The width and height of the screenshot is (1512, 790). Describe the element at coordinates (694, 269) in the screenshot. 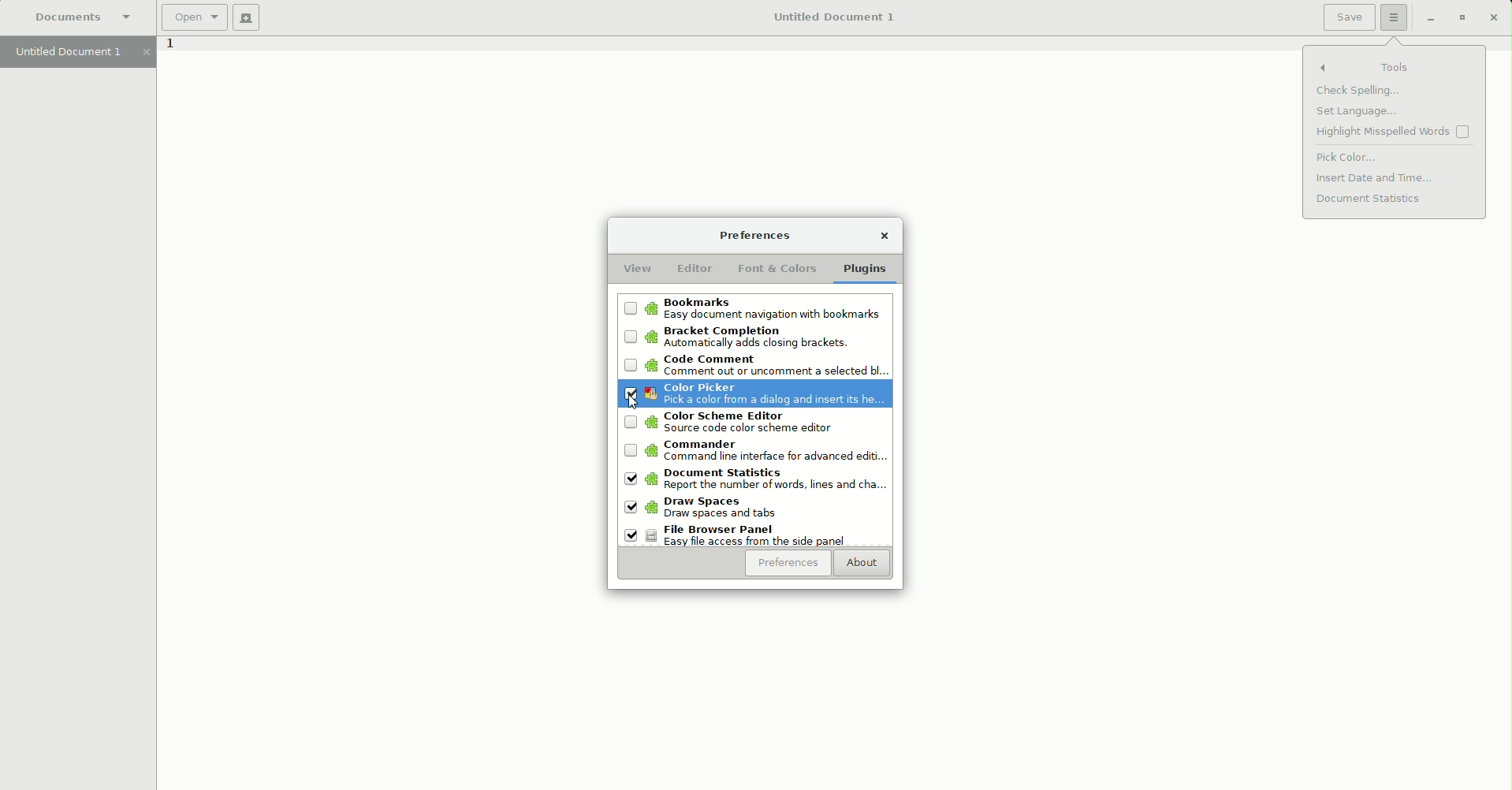

I see `Editor` at that location.